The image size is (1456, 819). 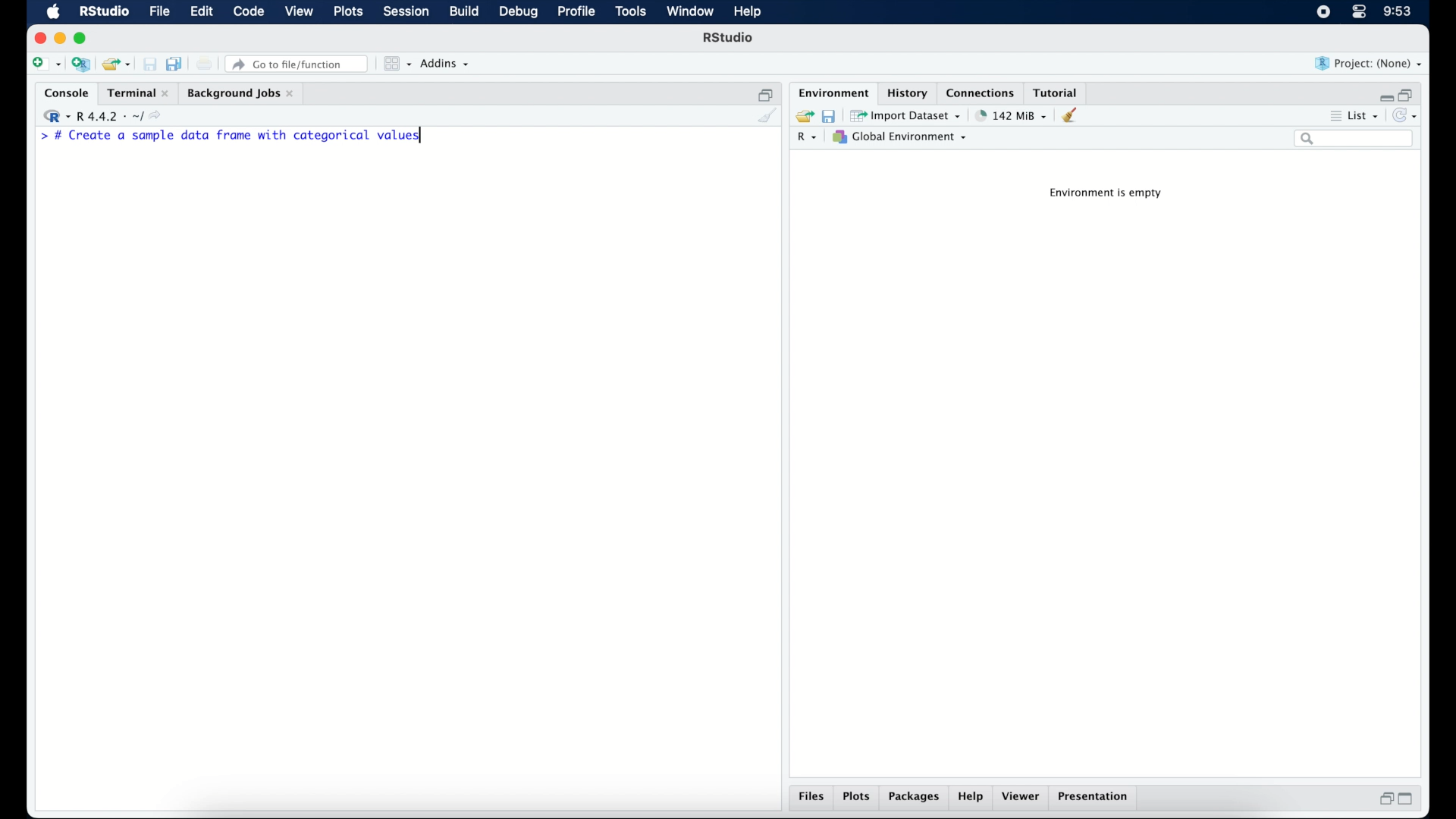 I want to click on 142 MB, so click(x=1012, y=115).